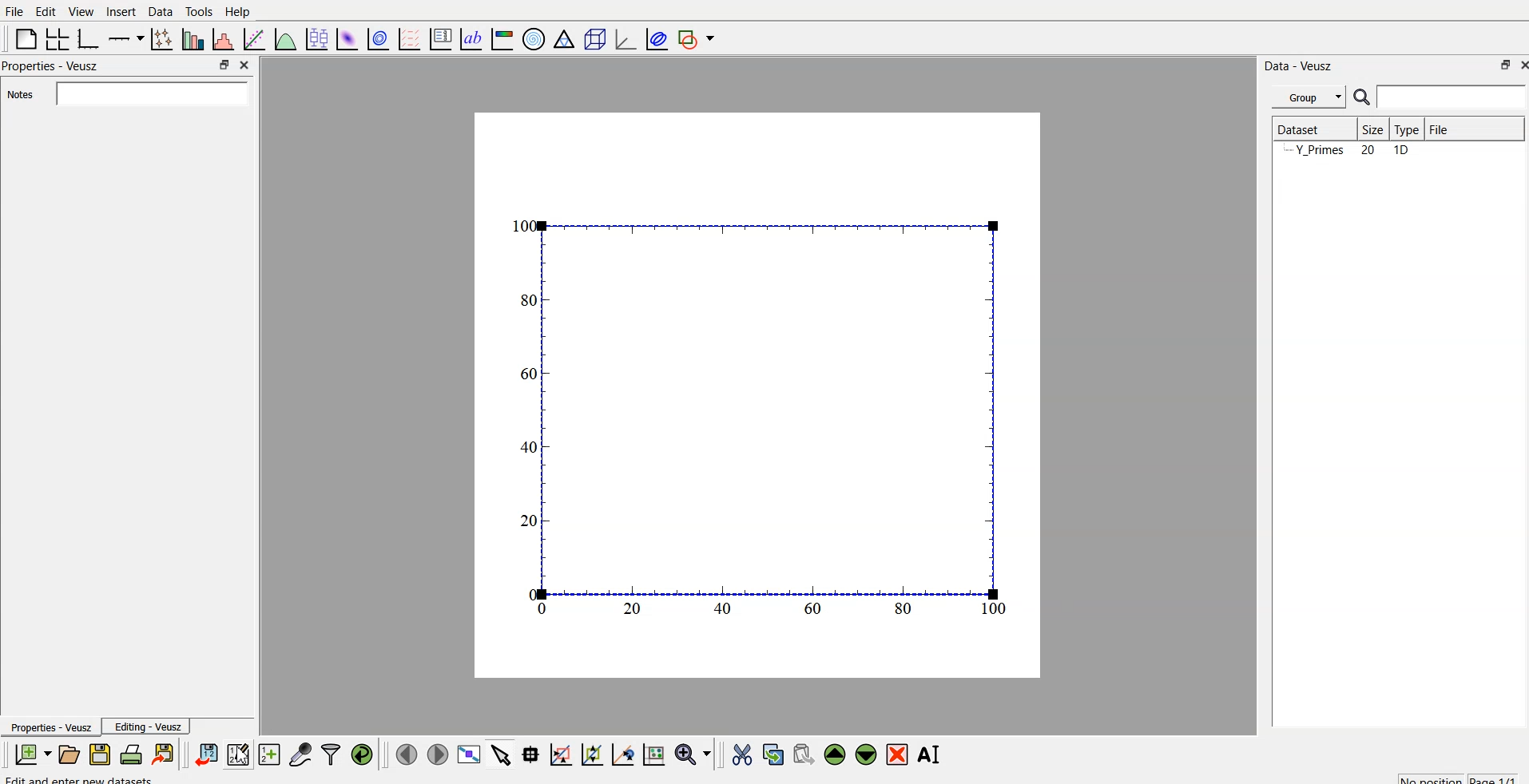 This screenshot has height=784, width=1529. Describe the element at coordinates (470, 754) in the screenshot. I see `view plot full screen` at that location.